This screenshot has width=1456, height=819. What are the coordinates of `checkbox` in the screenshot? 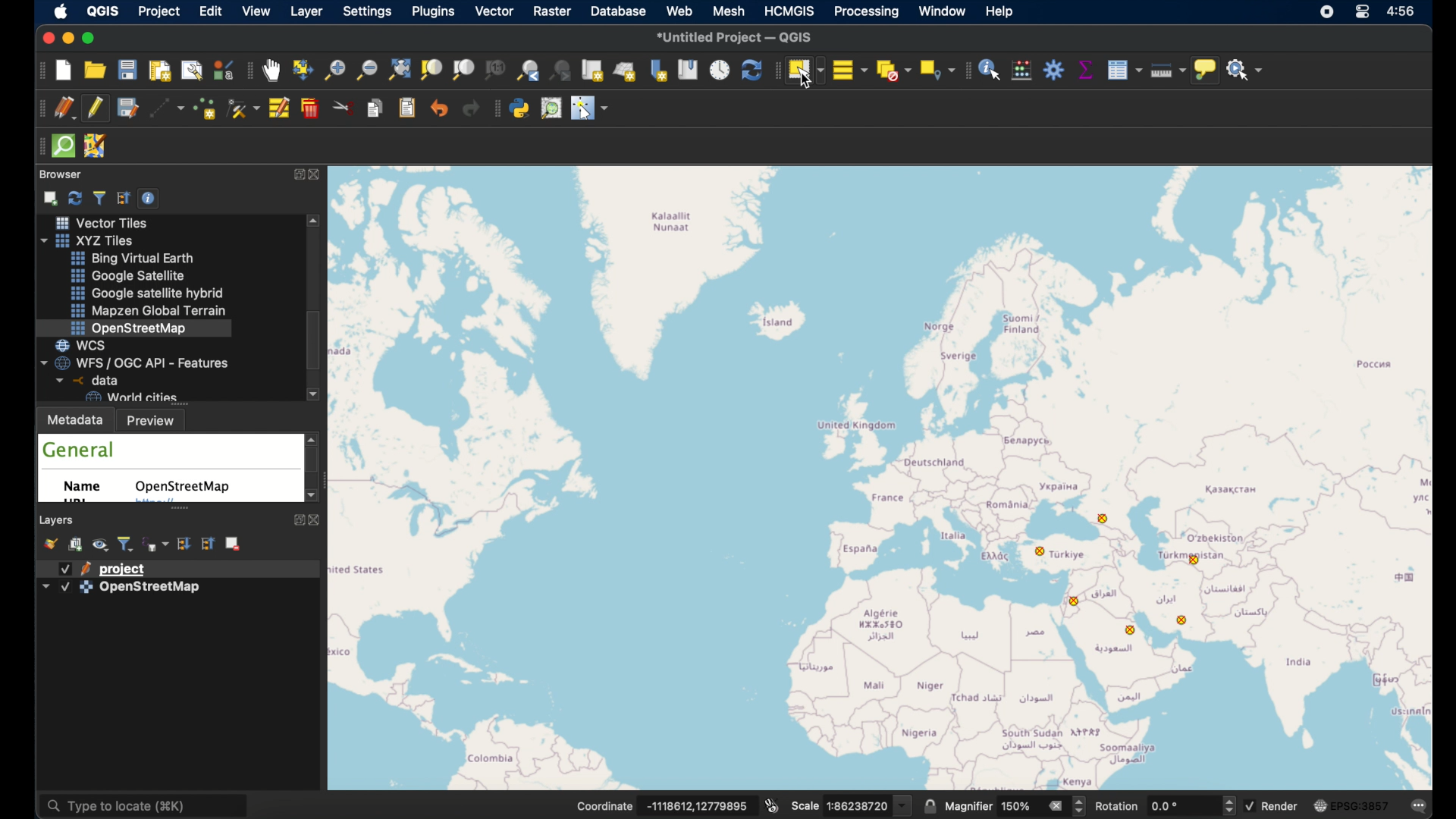 It's located at (65, 569).